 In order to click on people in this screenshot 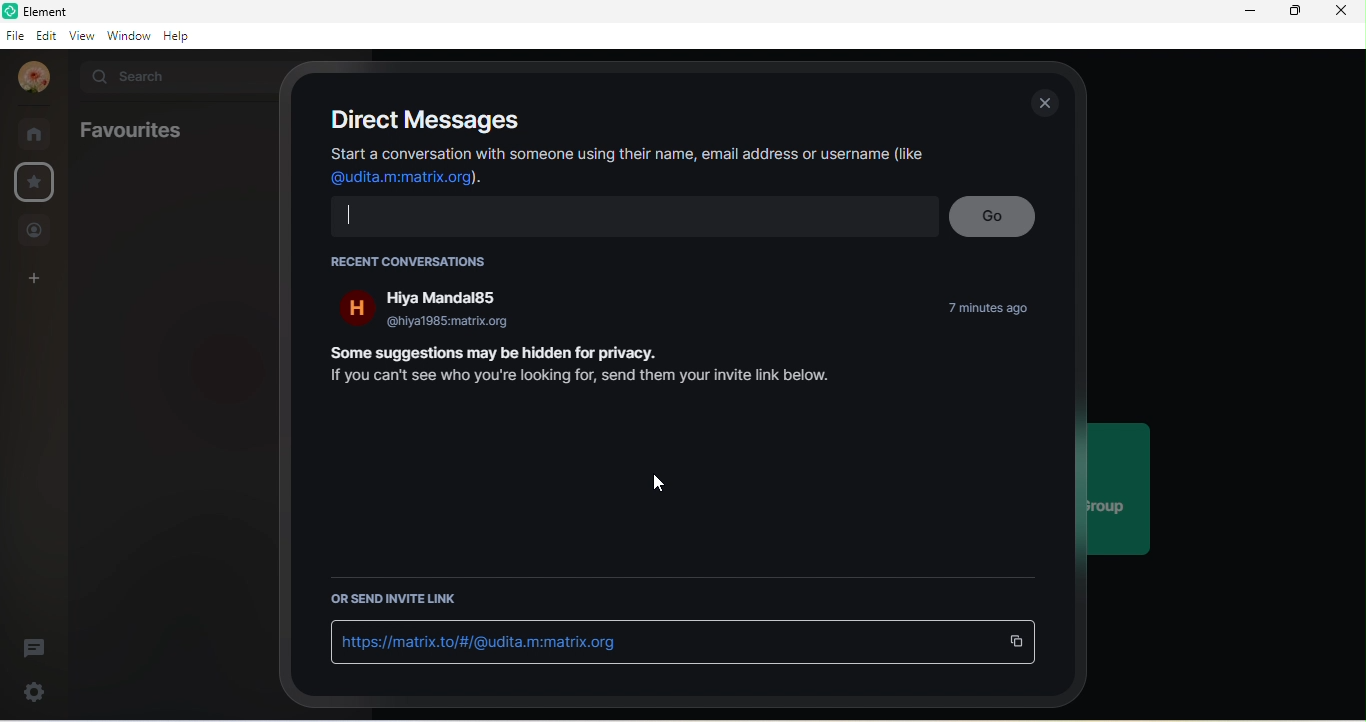, I will do `click(36, 231)`.